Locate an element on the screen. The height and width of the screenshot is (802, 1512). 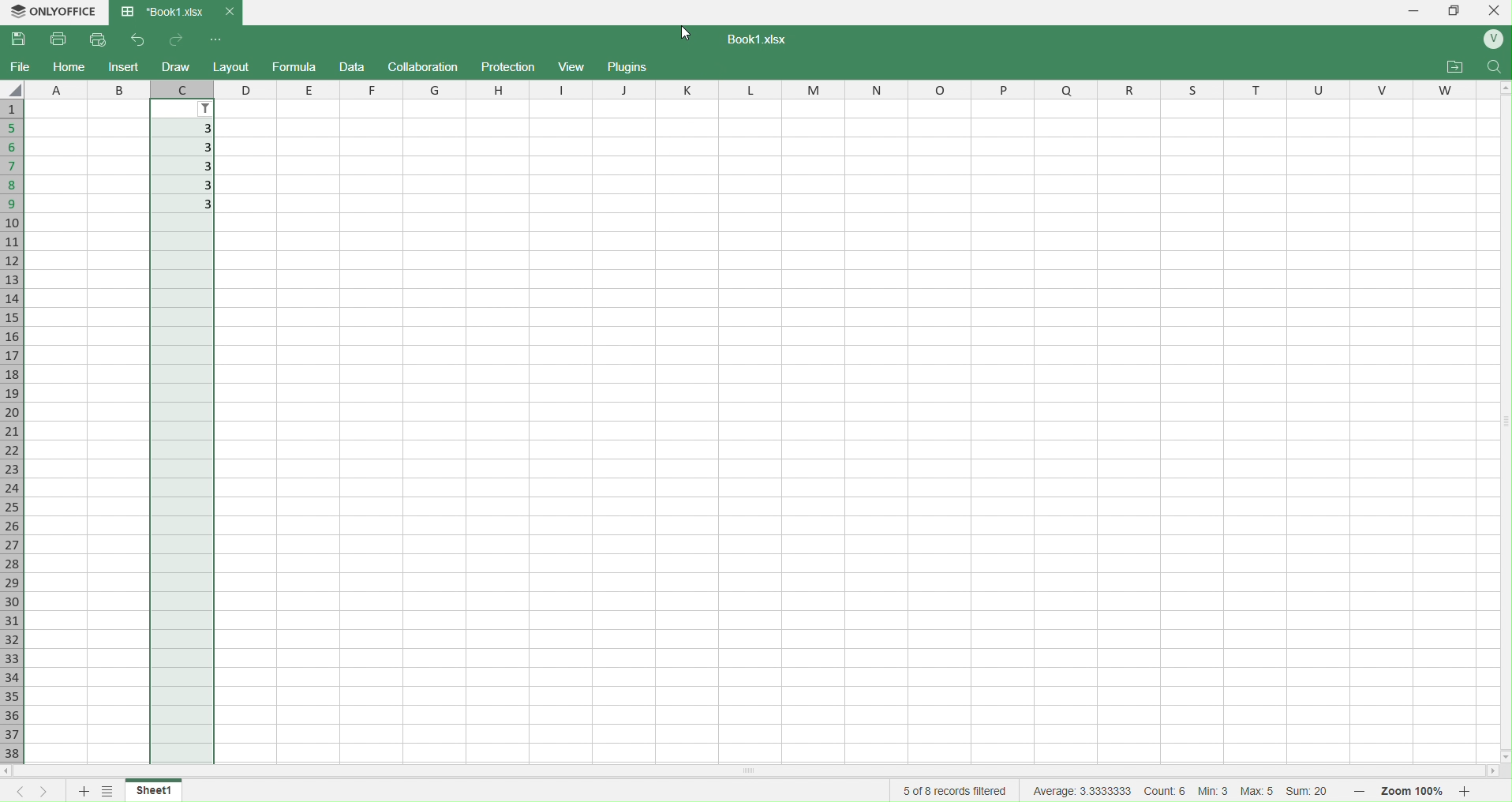
zoom in is located at coordinates (1465, 791).